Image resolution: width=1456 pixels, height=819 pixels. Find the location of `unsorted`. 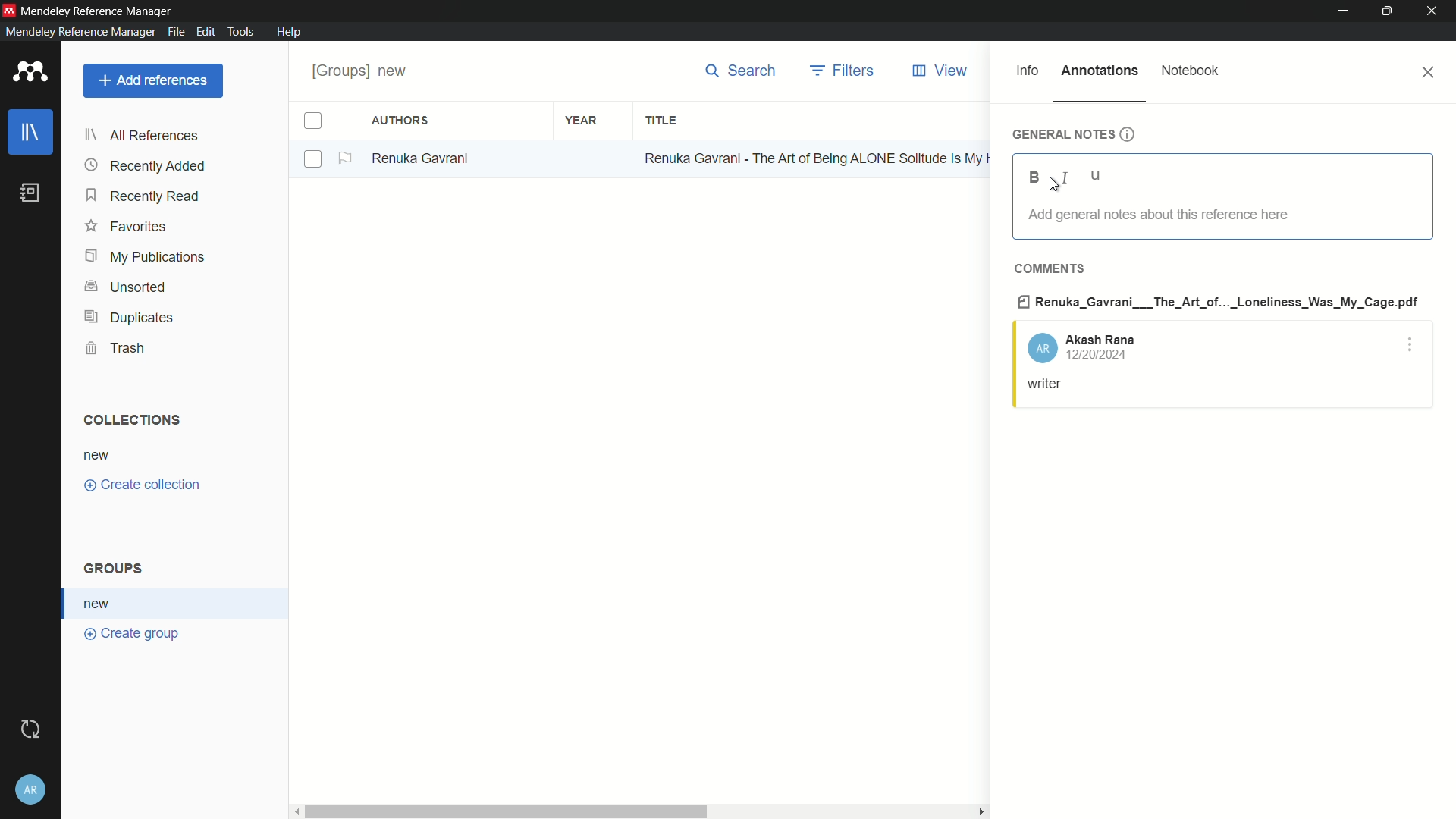

unsorted is located at coordinates (128, 287).